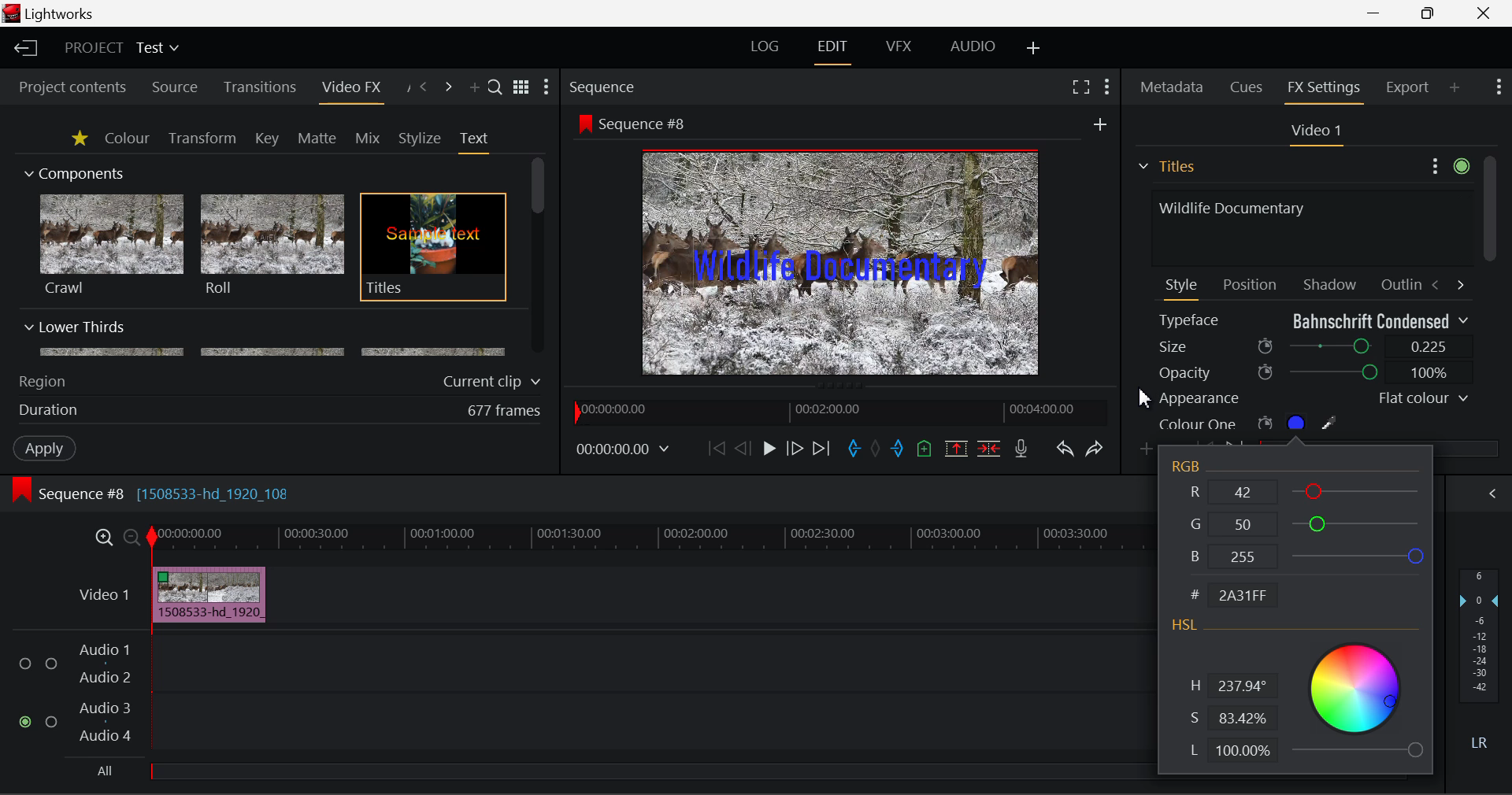  What do you see at coordinates (1447, 283) in the screenshot?
I see `Move between Tabs` at bounding box center [1447, 283].